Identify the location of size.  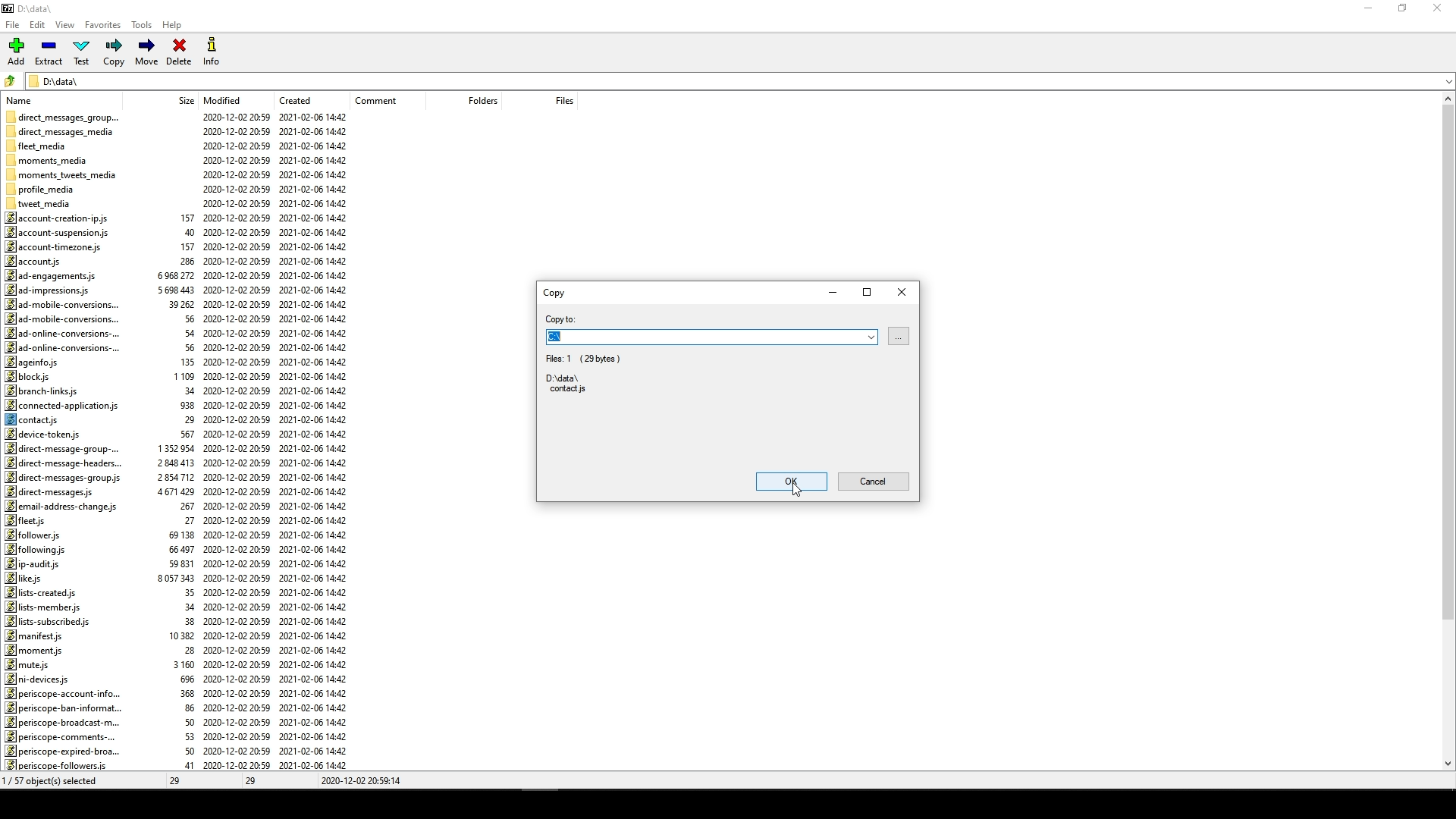
(181, 101).